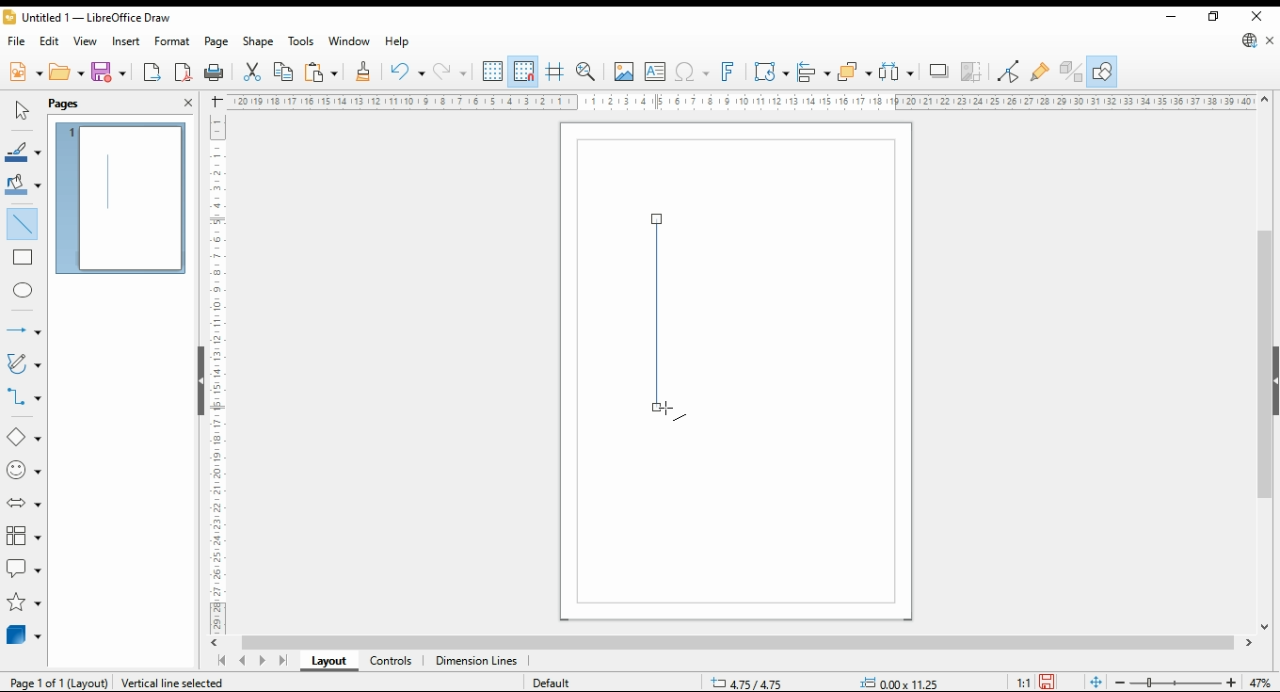  I want to click on insert, so click(126, 41).